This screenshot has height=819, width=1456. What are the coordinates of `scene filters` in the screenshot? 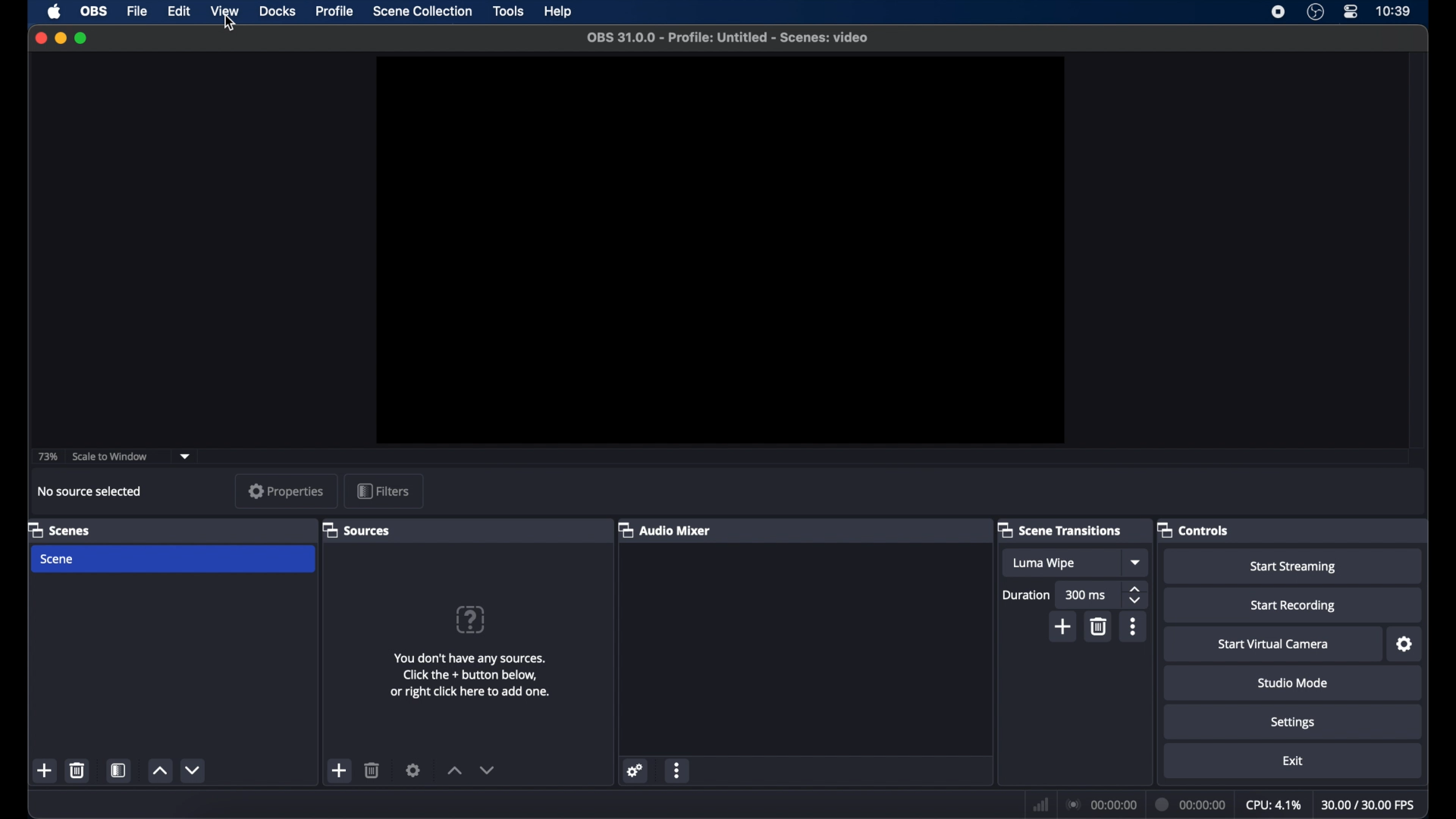 It's located at (118, 770).